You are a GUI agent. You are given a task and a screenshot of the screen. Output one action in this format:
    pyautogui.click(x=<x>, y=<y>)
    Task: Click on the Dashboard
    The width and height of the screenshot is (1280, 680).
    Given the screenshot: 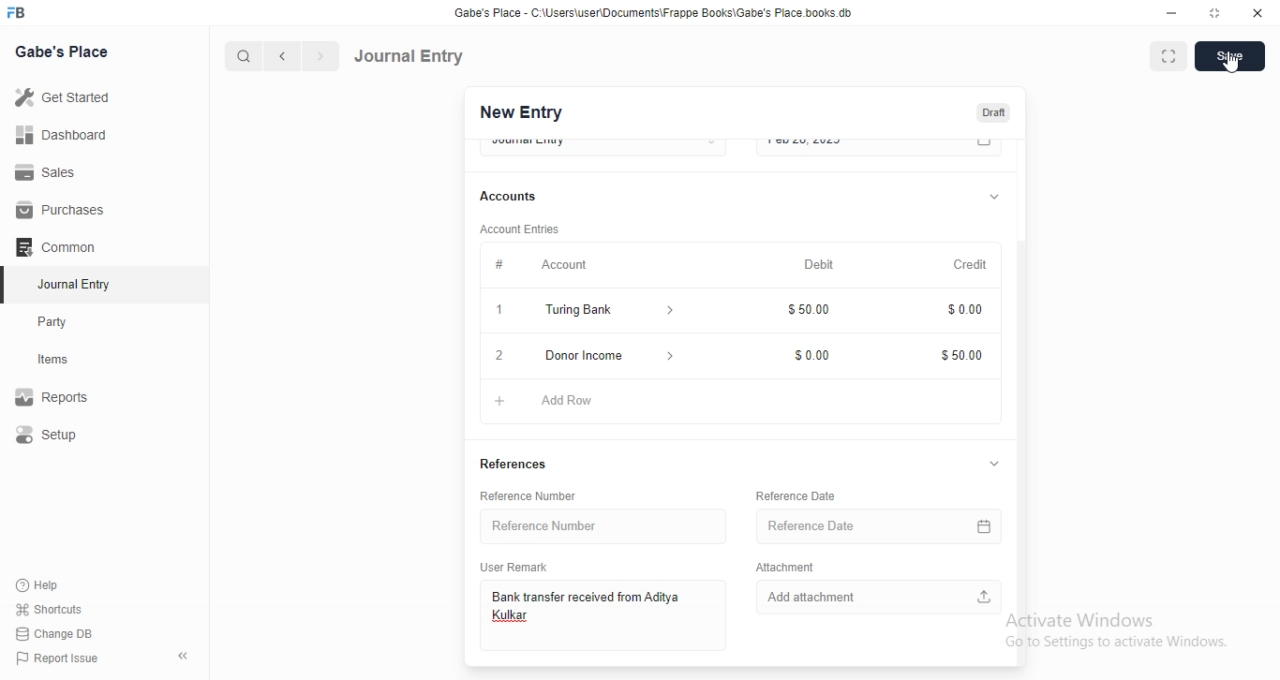 What is the action you would take?
    pyautogui.click(x=66, y=134)
    